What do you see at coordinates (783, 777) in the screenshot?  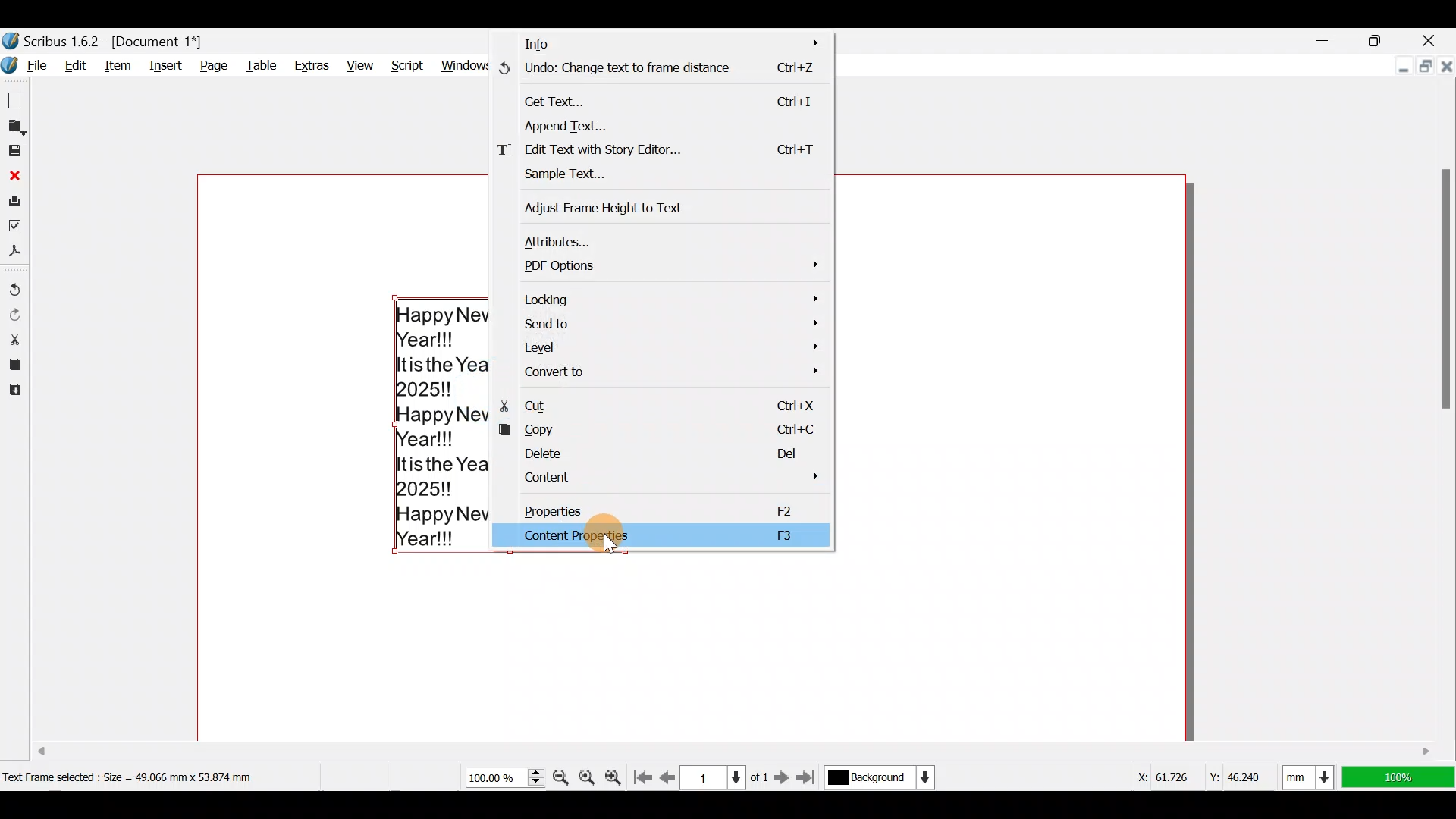 I see `Go to the next page` at bounding box center [783, 777].